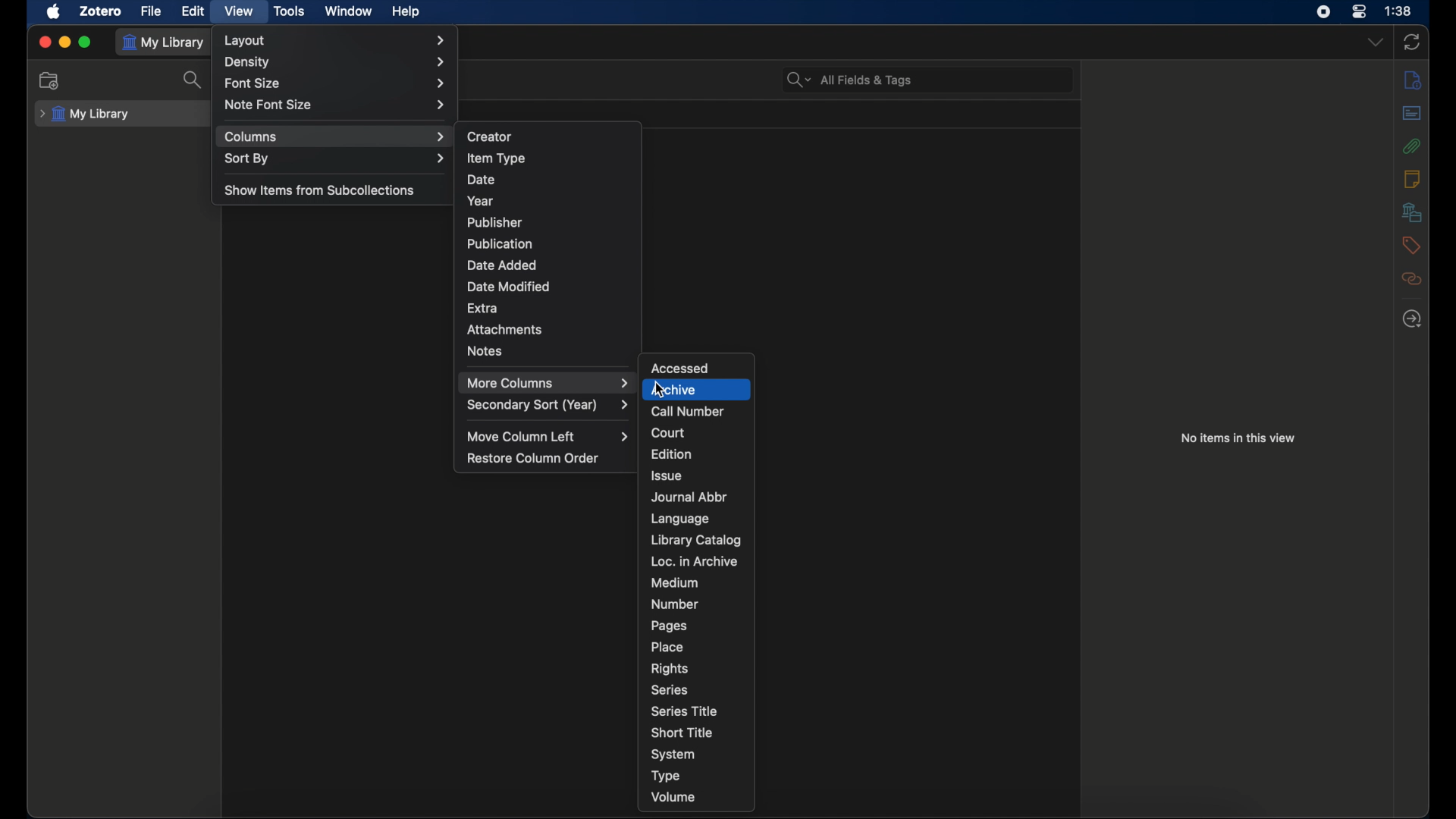 The image size is (1456, 819). Describe the element at coordinates (1412, 278) in the screenshot. I see `related` at that location.